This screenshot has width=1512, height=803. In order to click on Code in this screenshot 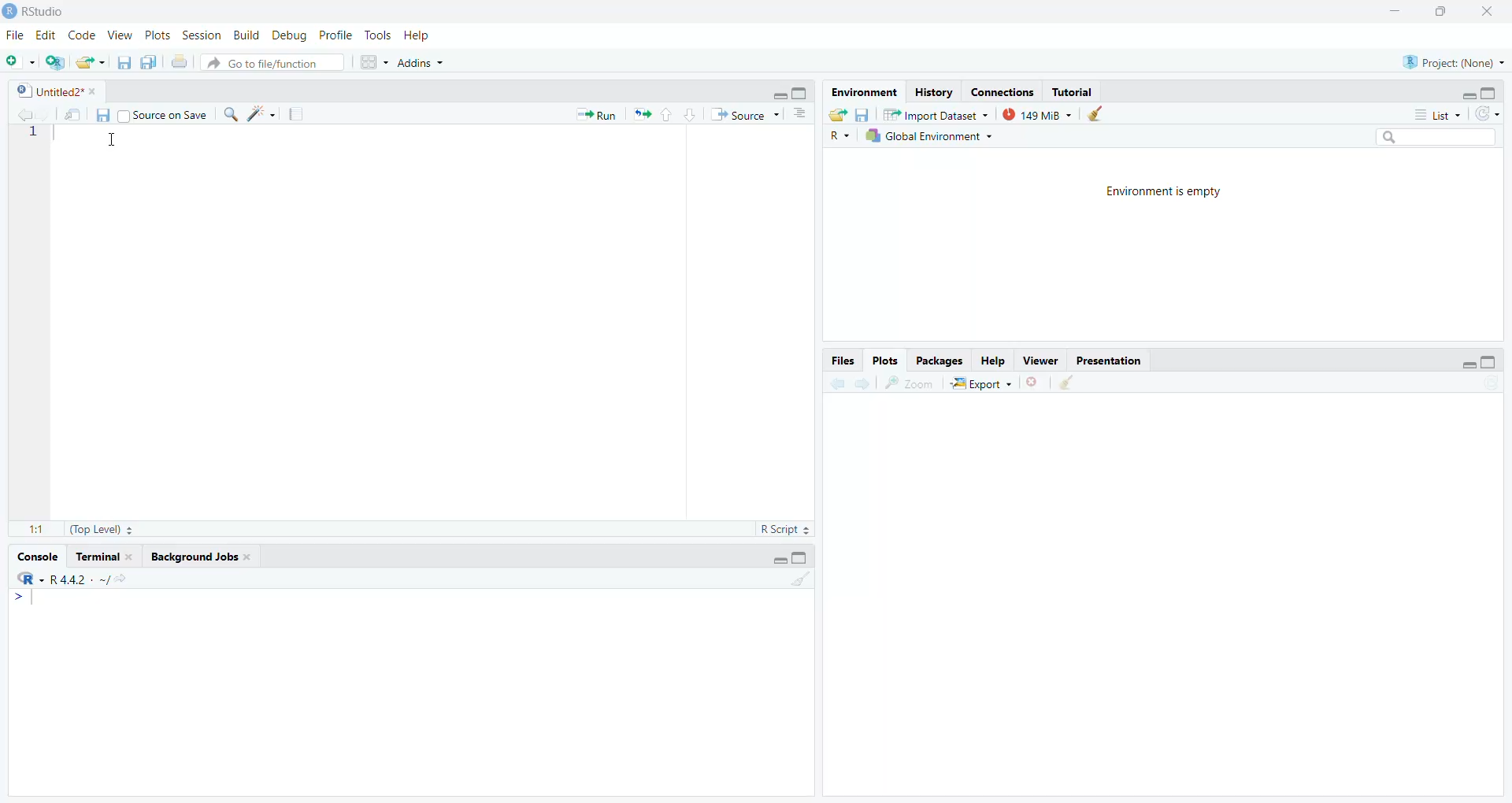, I will do `click(83, 36)`.